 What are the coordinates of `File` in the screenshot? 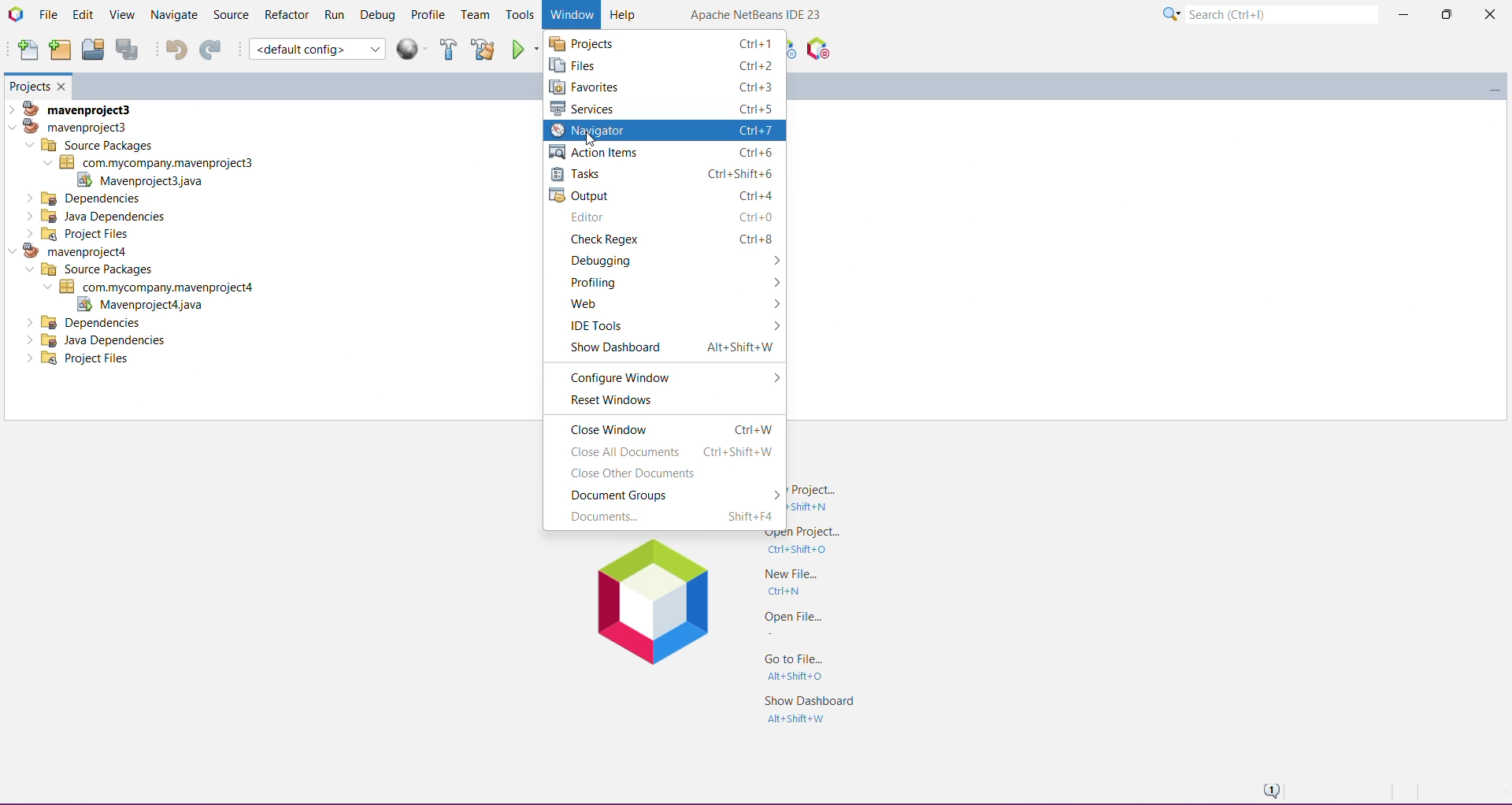 It's located at (48, 14).